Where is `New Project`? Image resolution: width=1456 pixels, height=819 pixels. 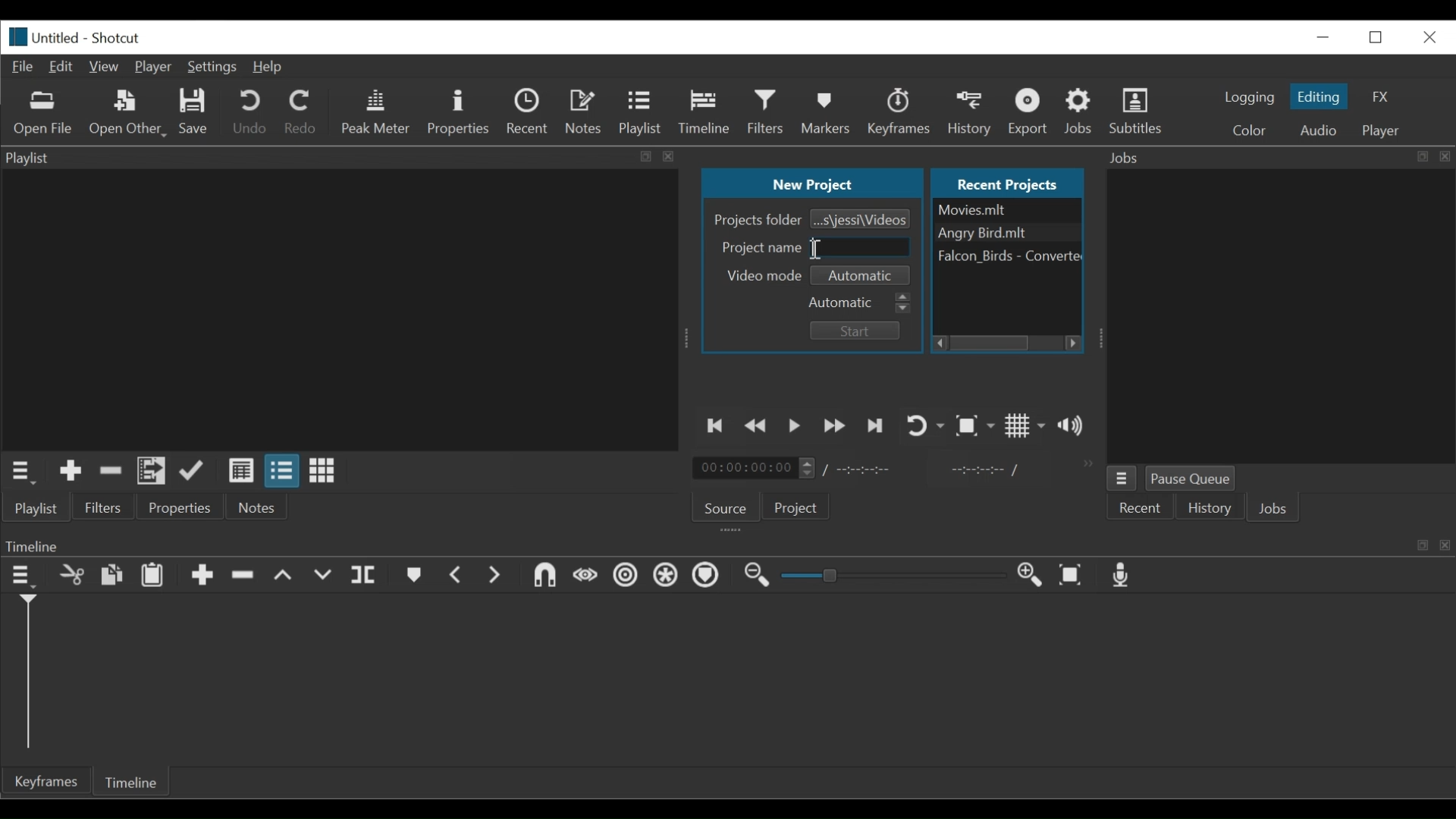 New Project is located at coordinates (815, 182).